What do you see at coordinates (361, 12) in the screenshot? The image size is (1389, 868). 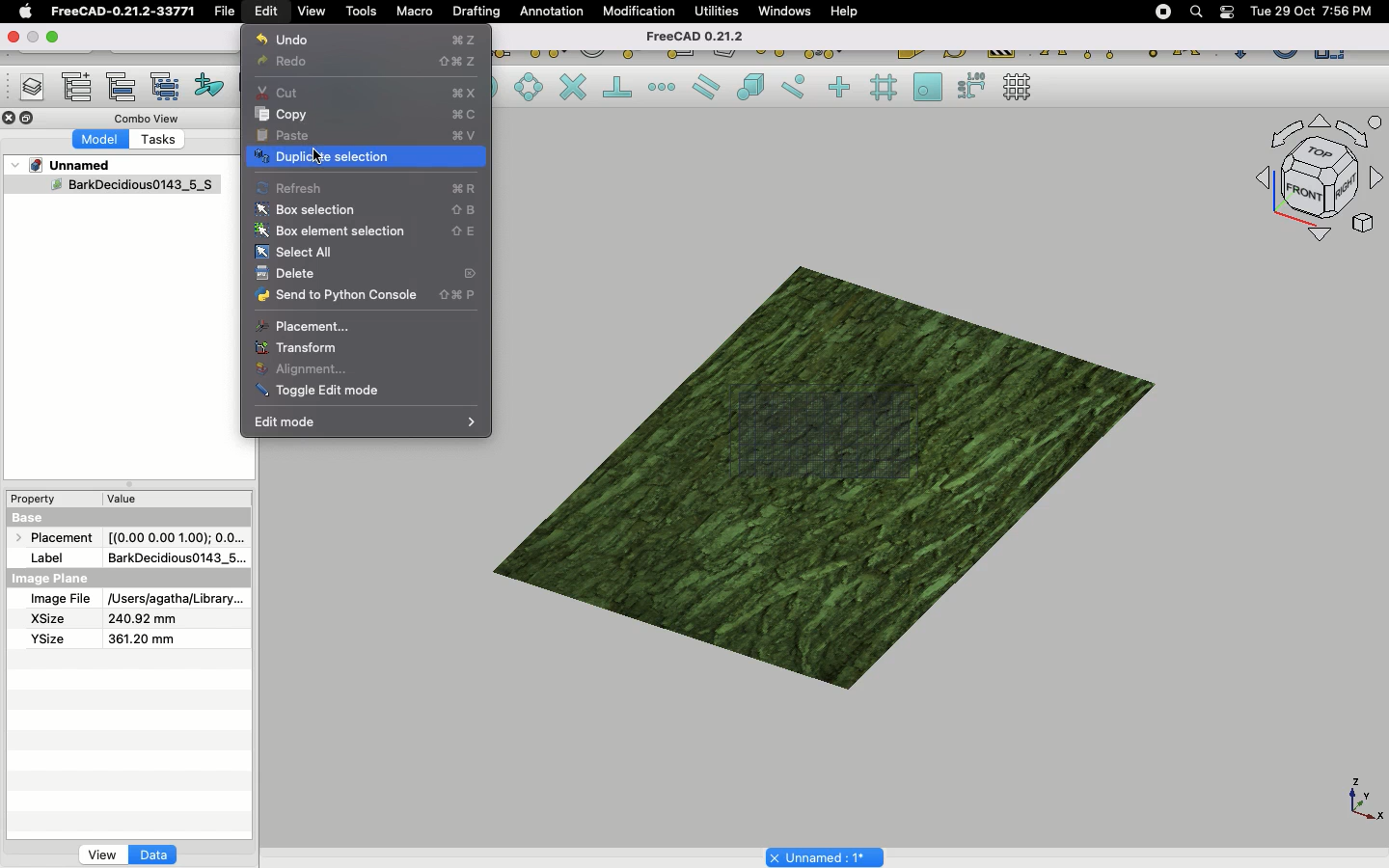 I see `Tools` at bounding box center [361, 12].